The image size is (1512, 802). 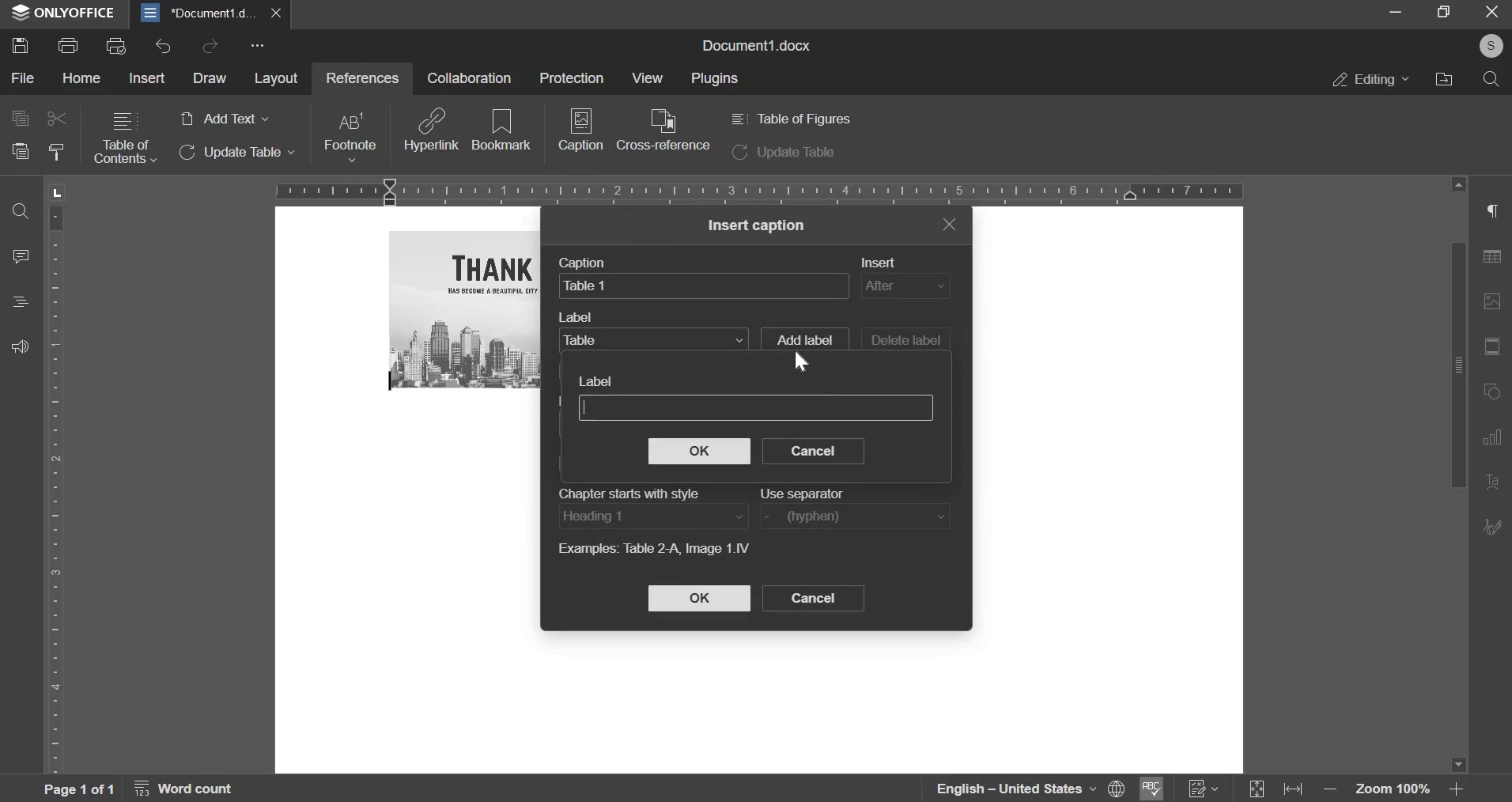 I want to click on Spell Checking, so click(x=1149, y=789).